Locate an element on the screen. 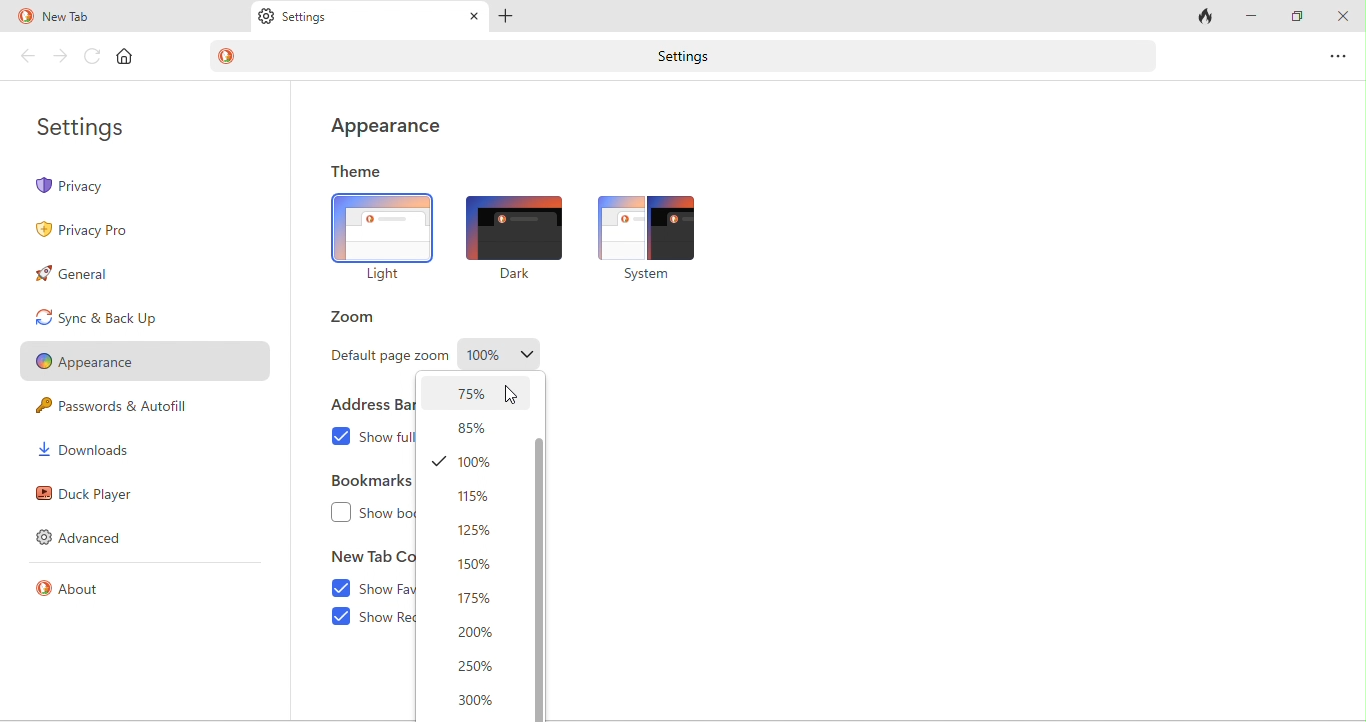  300% is located at coordinates (470, 701).